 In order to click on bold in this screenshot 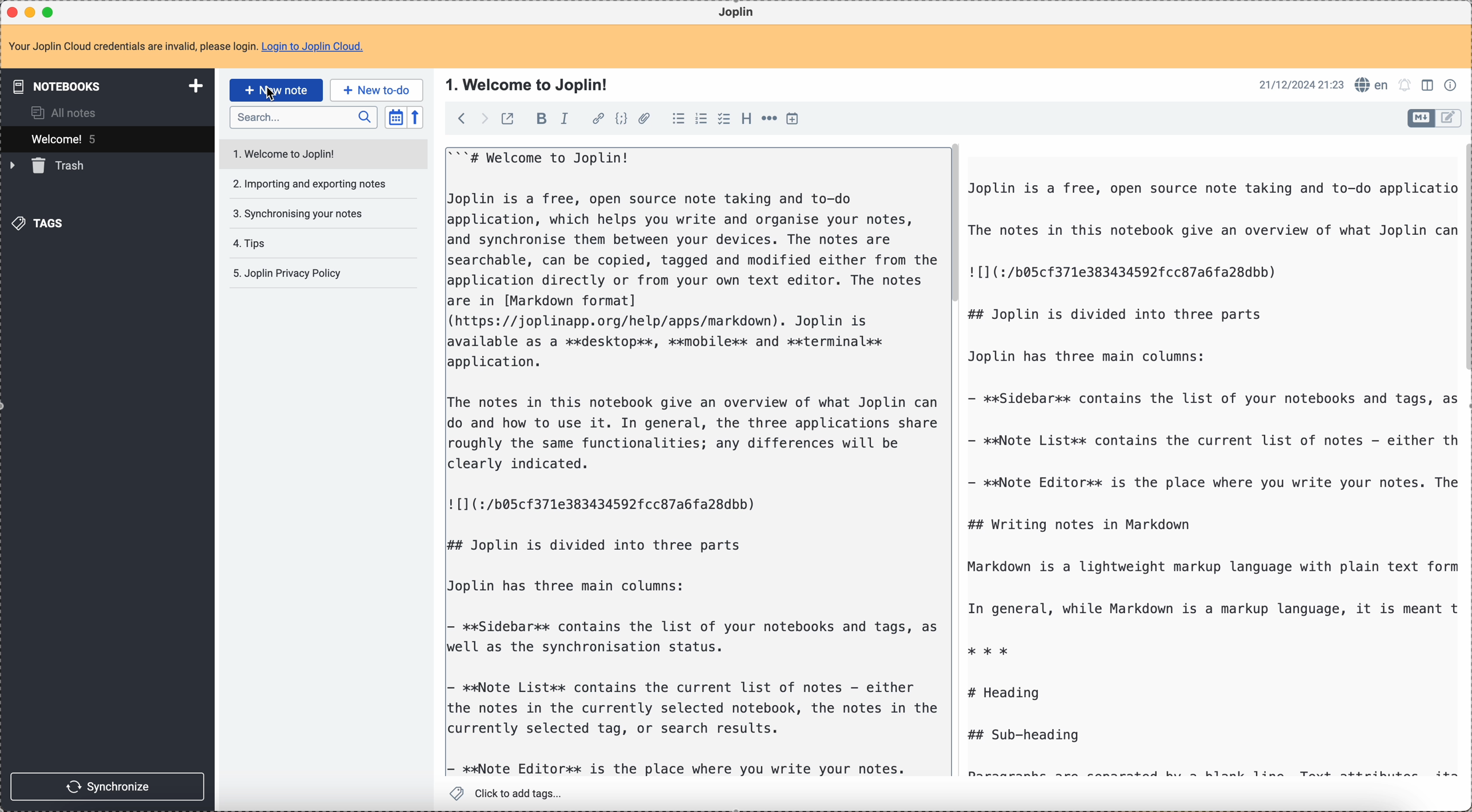, I will do `click(538, 119)`.